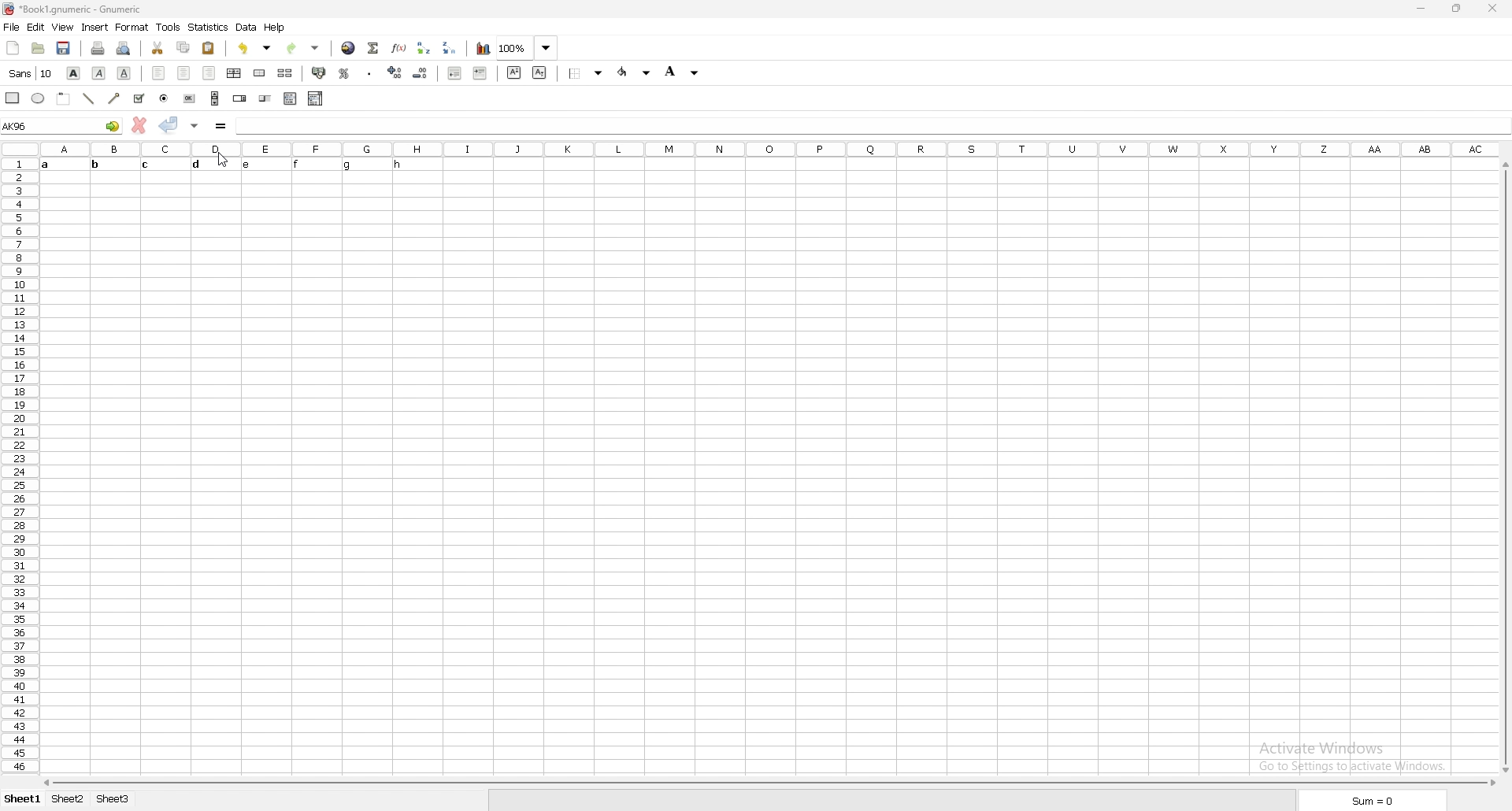 Image resolution: width=1512 pixels, height=811 pixels. I want to click on data, so click(247, 27).